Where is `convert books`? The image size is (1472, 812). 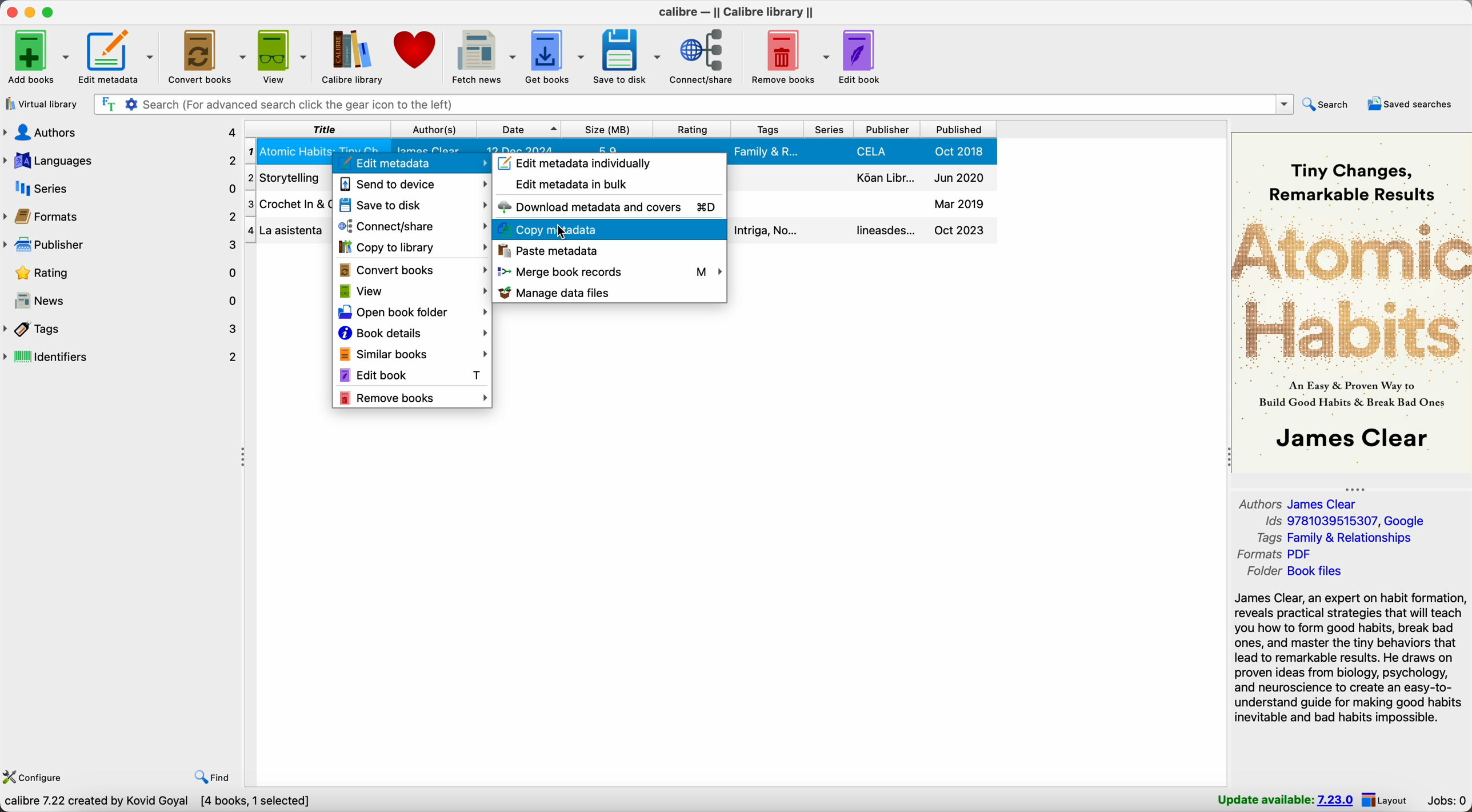 convert books is located at coordinates (209, 56).